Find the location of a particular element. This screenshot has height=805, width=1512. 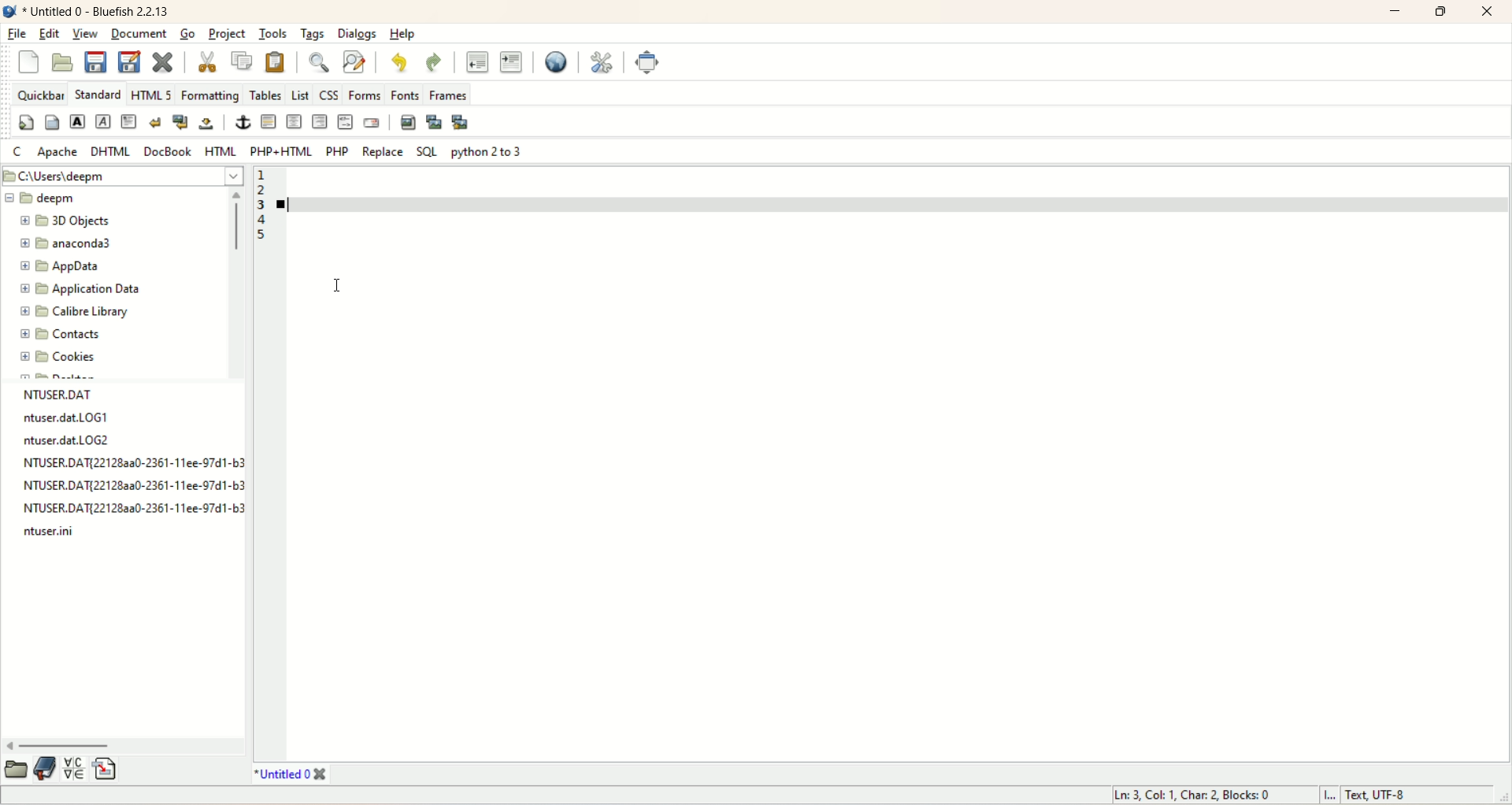

right justify is located at coordinates (319, 122).